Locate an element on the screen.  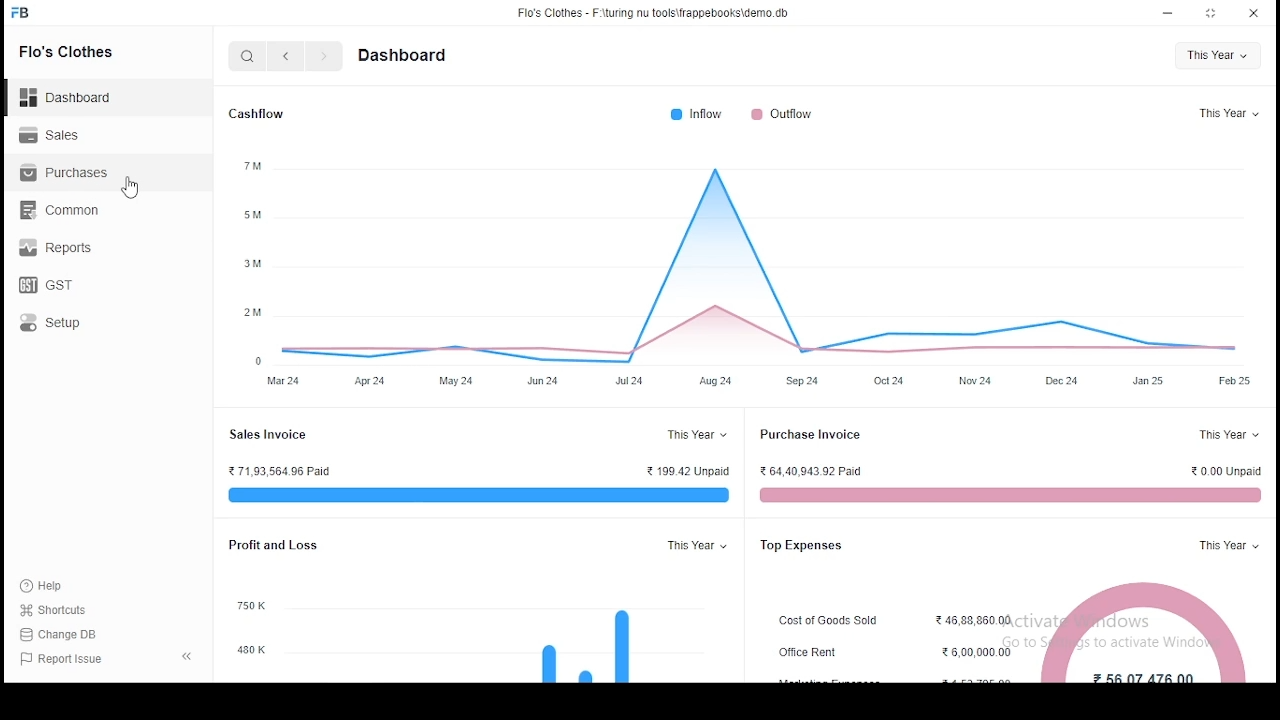
6,00,000.00 is located at coordinates (979, 652).